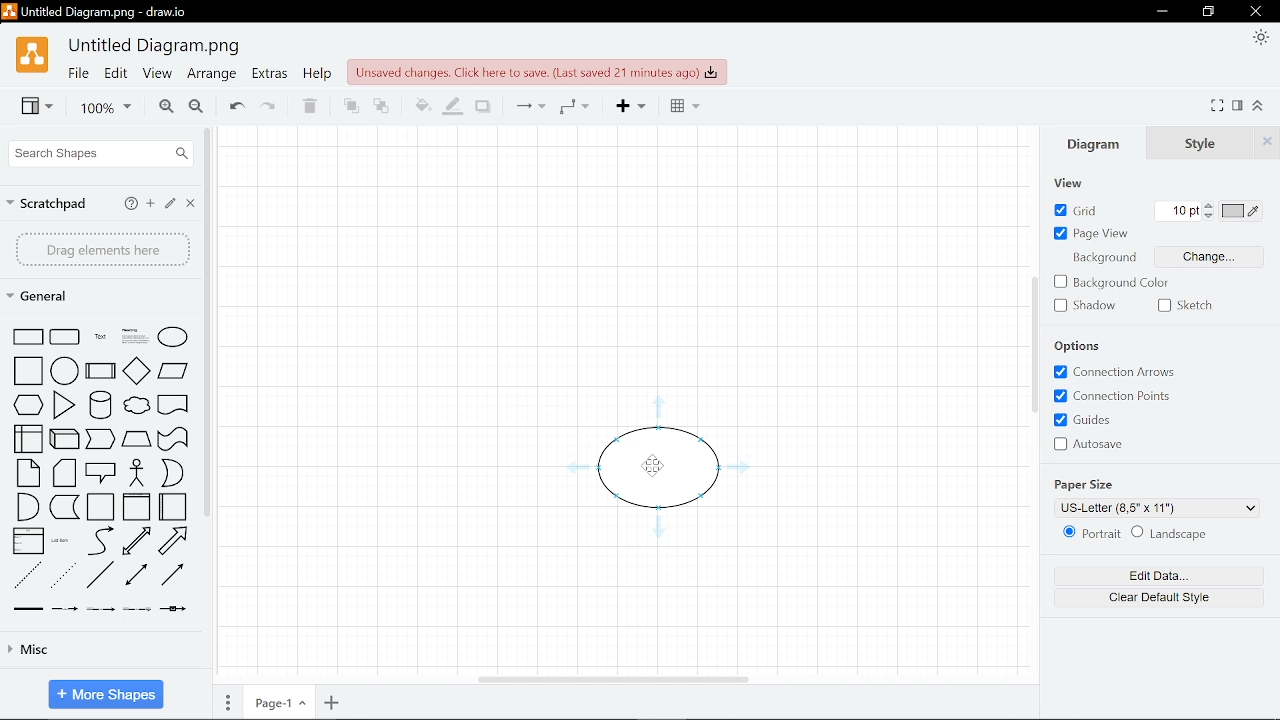  Describe the element at coordinates (32, 56) in the screenshot. I see `Draw.io logo` at that location.